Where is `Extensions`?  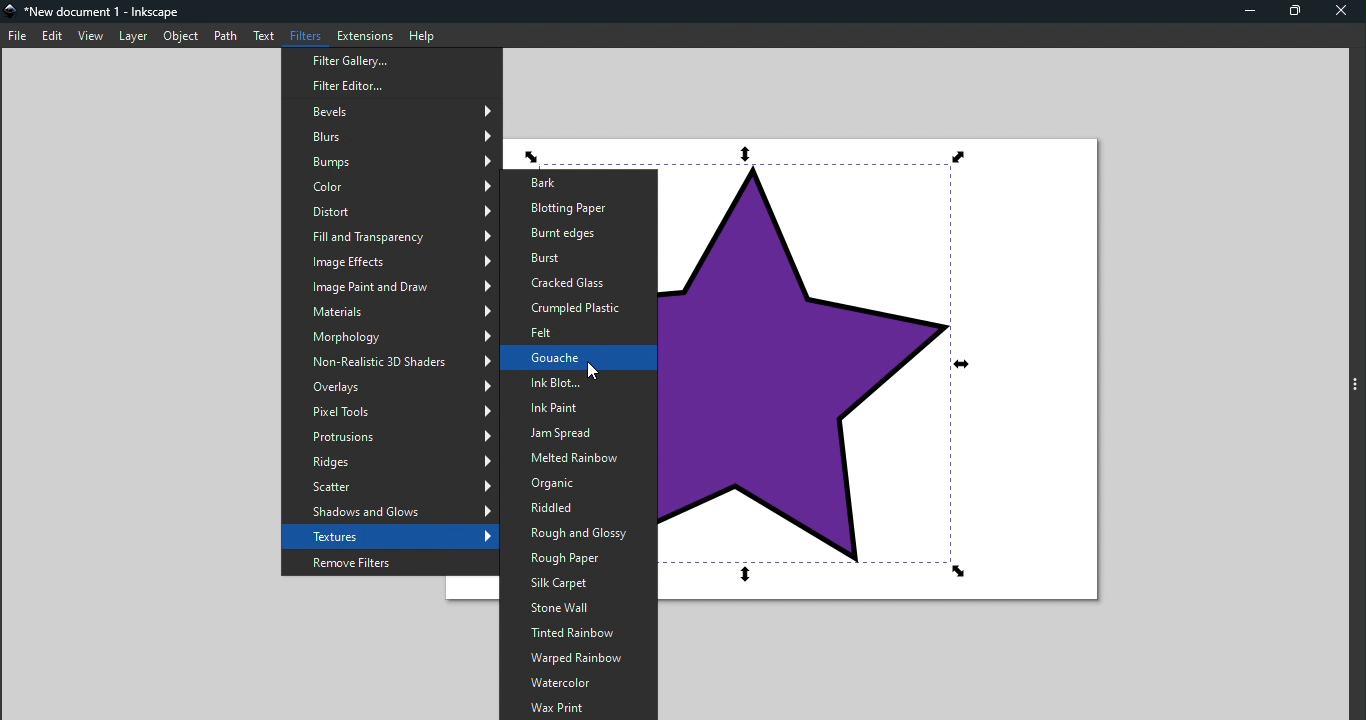 Extensions is located at coordinates (363, 34).